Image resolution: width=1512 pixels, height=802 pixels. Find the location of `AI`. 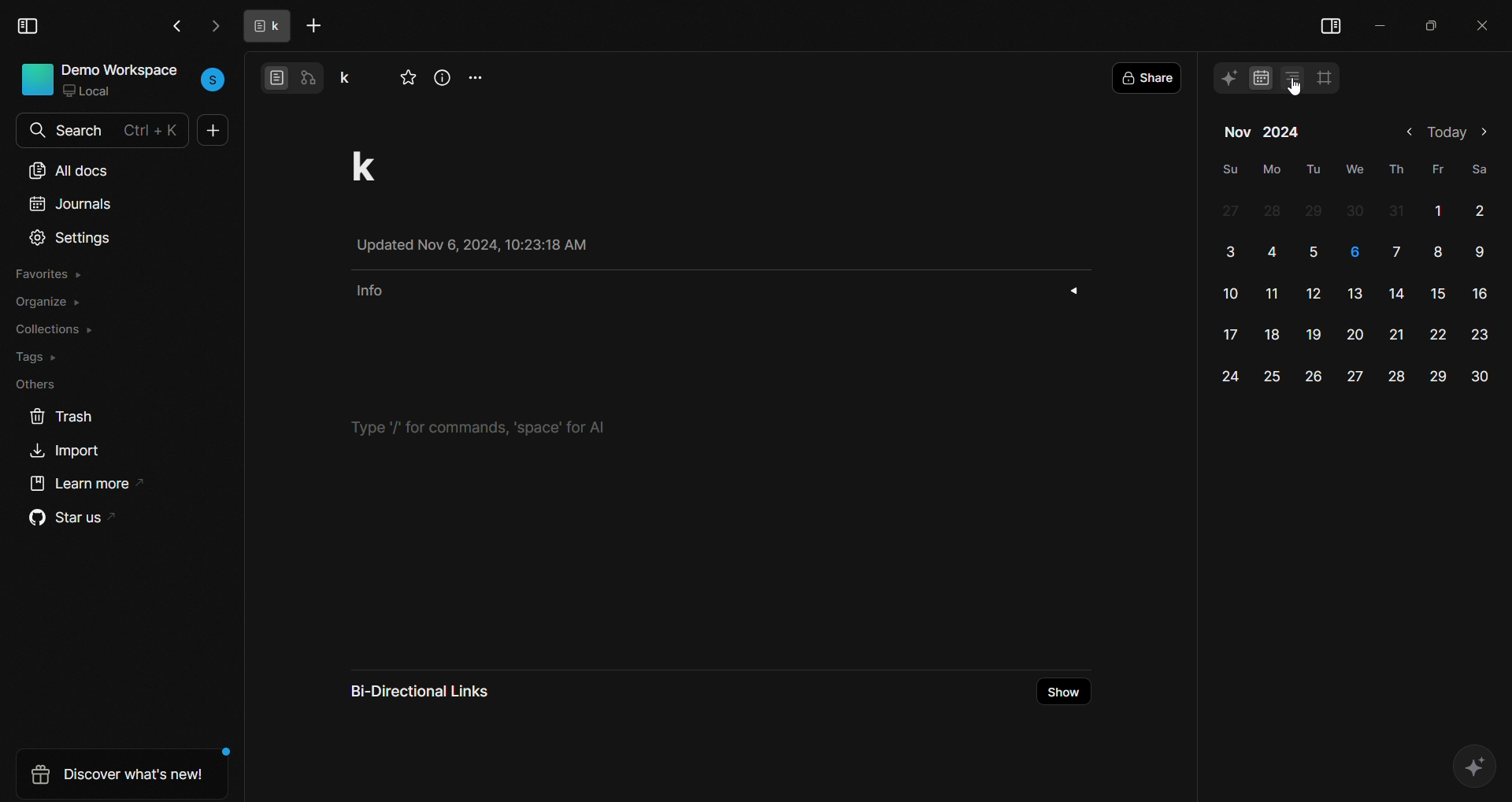

AI is located at coordinates (1228, 76).